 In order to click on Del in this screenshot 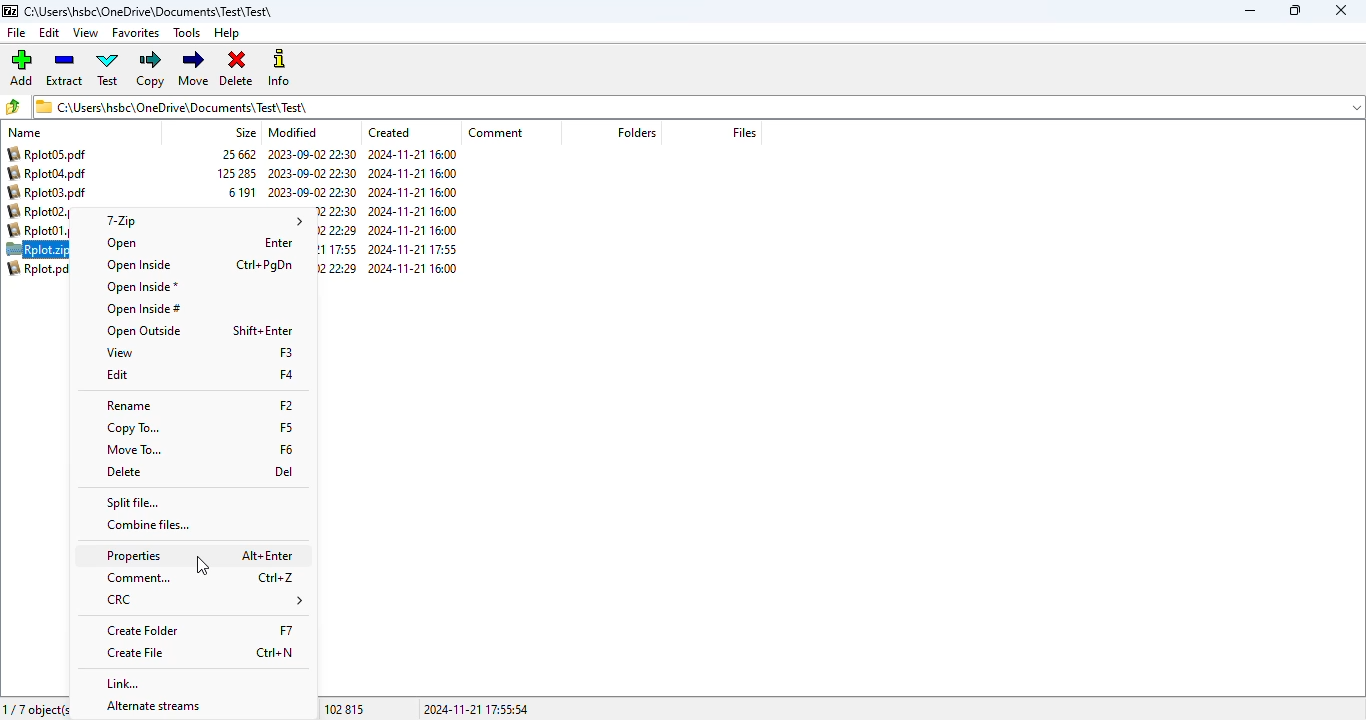, I will do `click(285, 471)`.